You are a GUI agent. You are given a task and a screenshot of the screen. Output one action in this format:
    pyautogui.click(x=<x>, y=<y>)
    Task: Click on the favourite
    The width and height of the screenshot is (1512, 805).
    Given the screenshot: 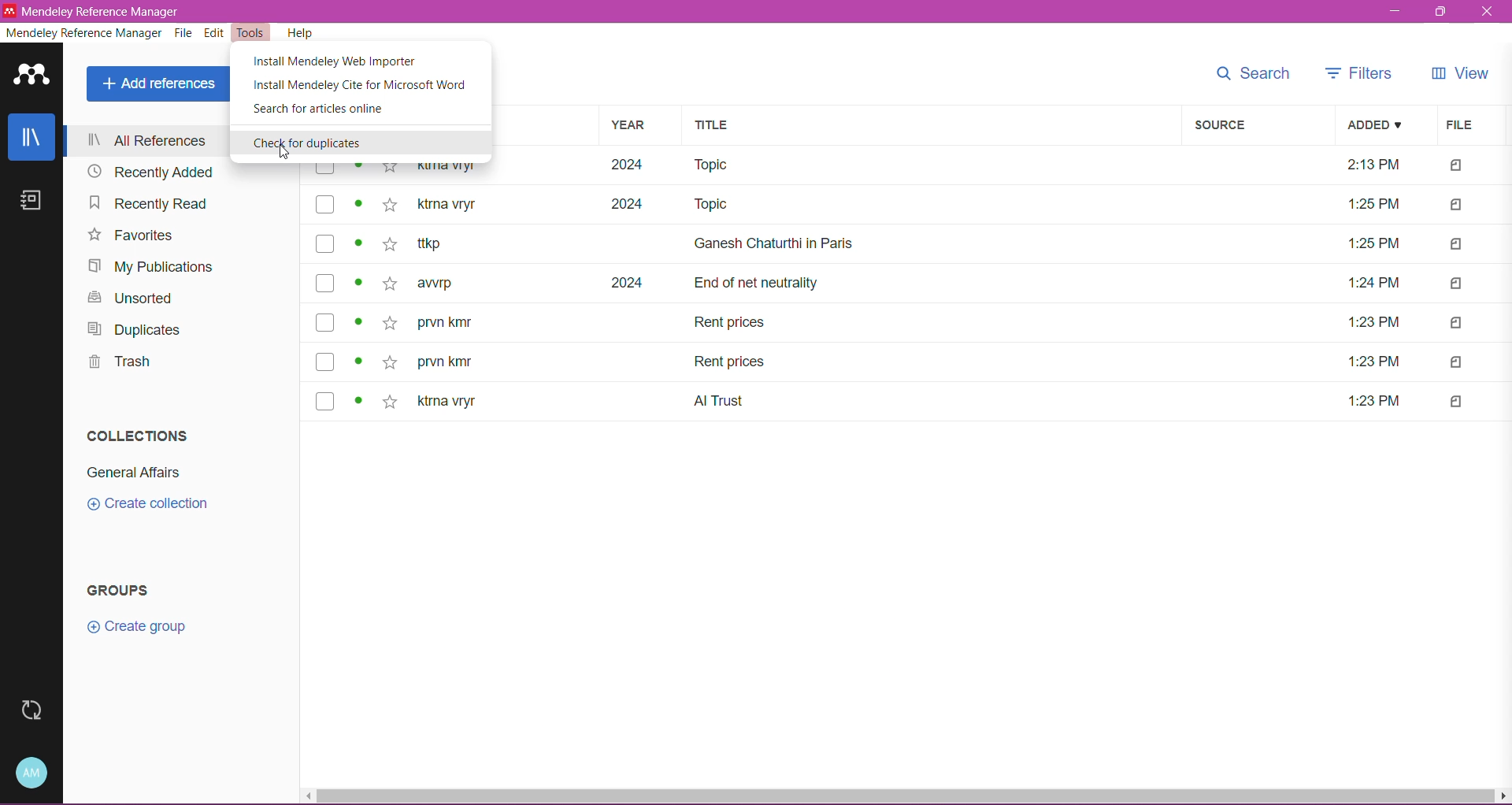 What is the action you would take?
    pyautogui.click(x=391, y=246)
    